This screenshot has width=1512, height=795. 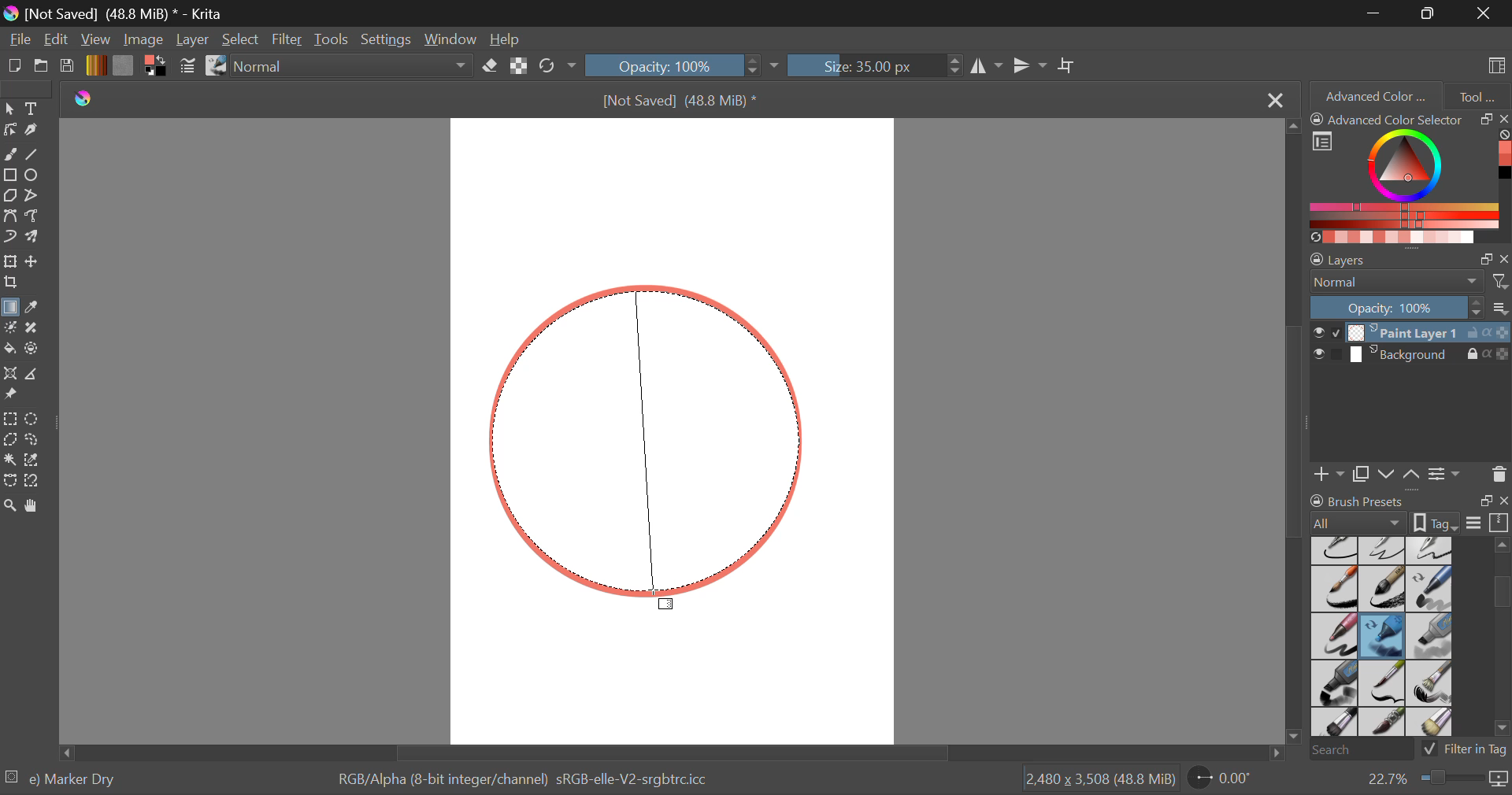 What do you see at coordinates (1431, 779) in the screenshot?
I see `Zoom 22.7%` at bounding box center [1431, 779].